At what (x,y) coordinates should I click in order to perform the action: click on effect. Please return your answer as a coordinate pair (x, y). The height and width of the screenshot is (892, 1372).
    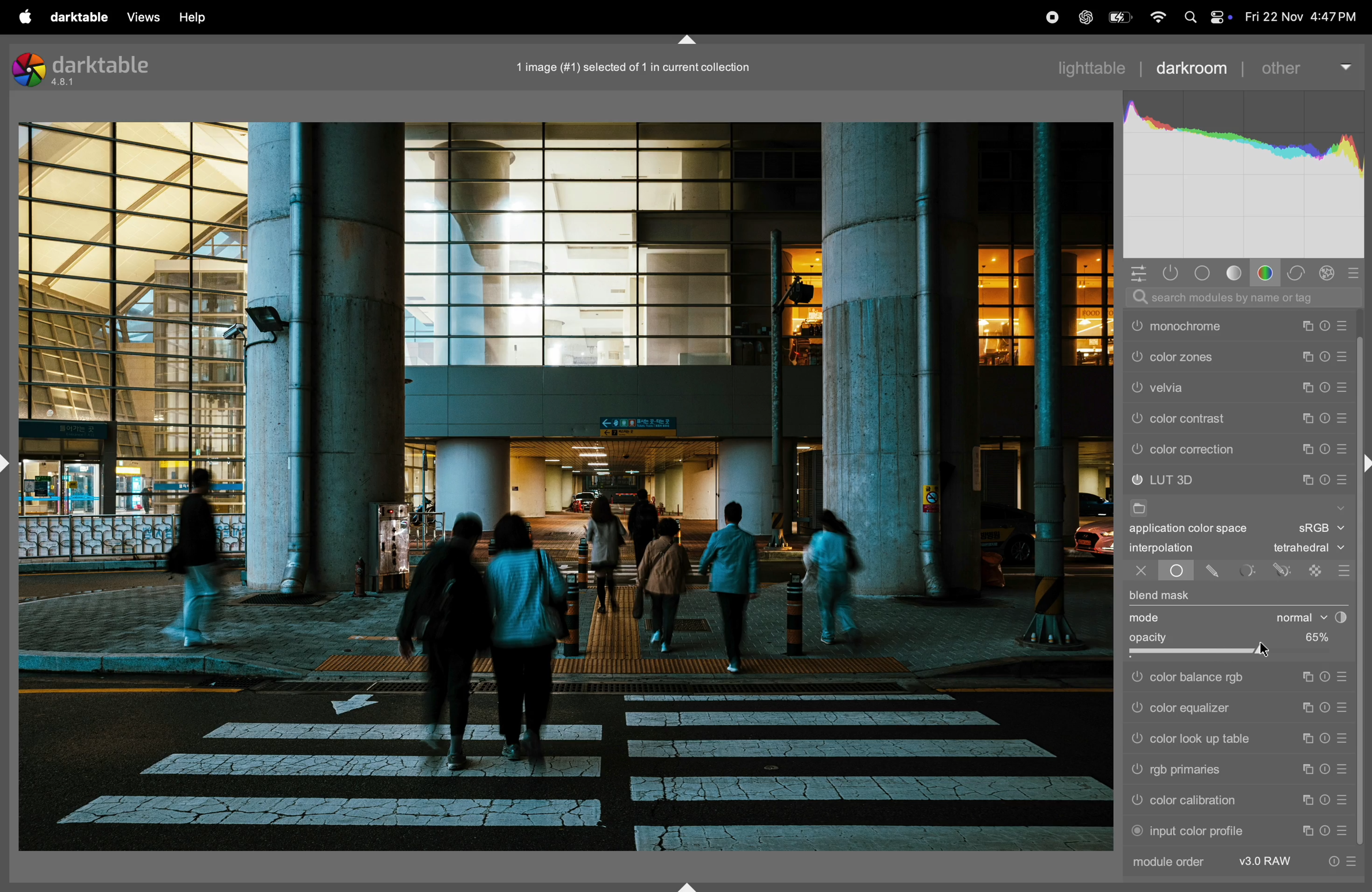
    Looking at the image, I should click on (1329, 273).